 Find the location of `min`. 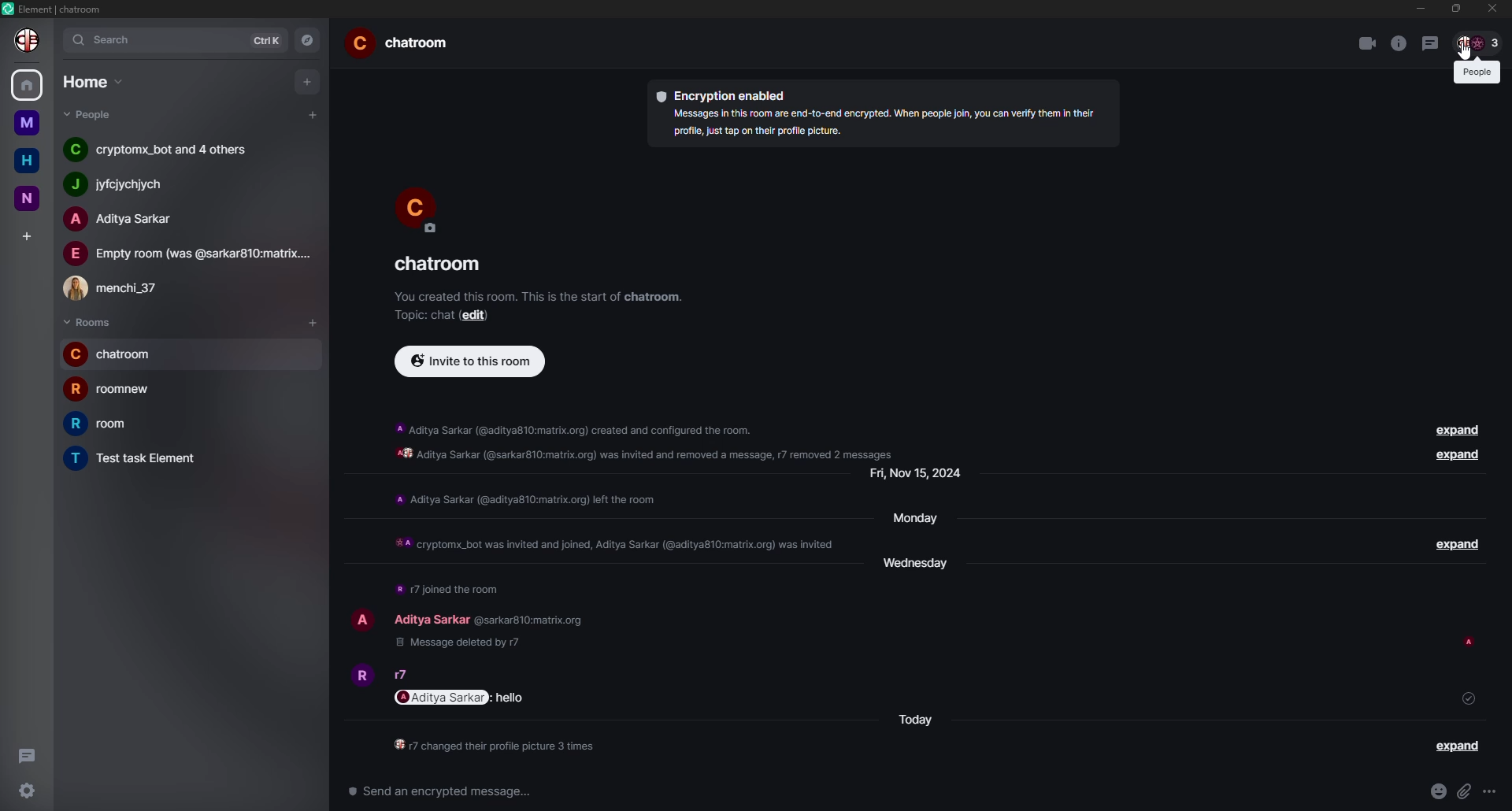

min is located at coordinates (1418, 8).